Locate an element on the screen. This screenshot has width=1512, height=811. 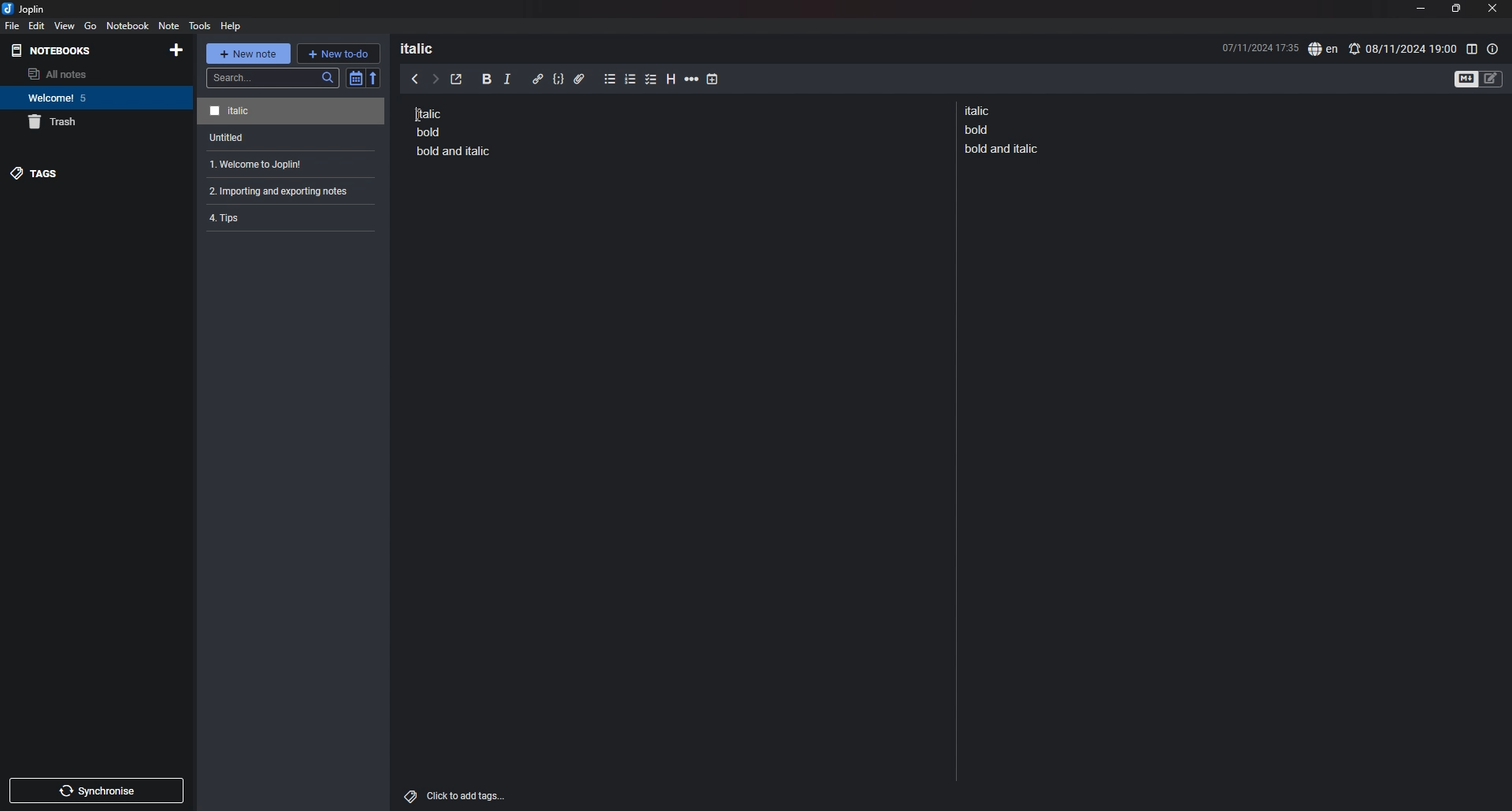
reverse sort order is located at coordinates (374, 77).